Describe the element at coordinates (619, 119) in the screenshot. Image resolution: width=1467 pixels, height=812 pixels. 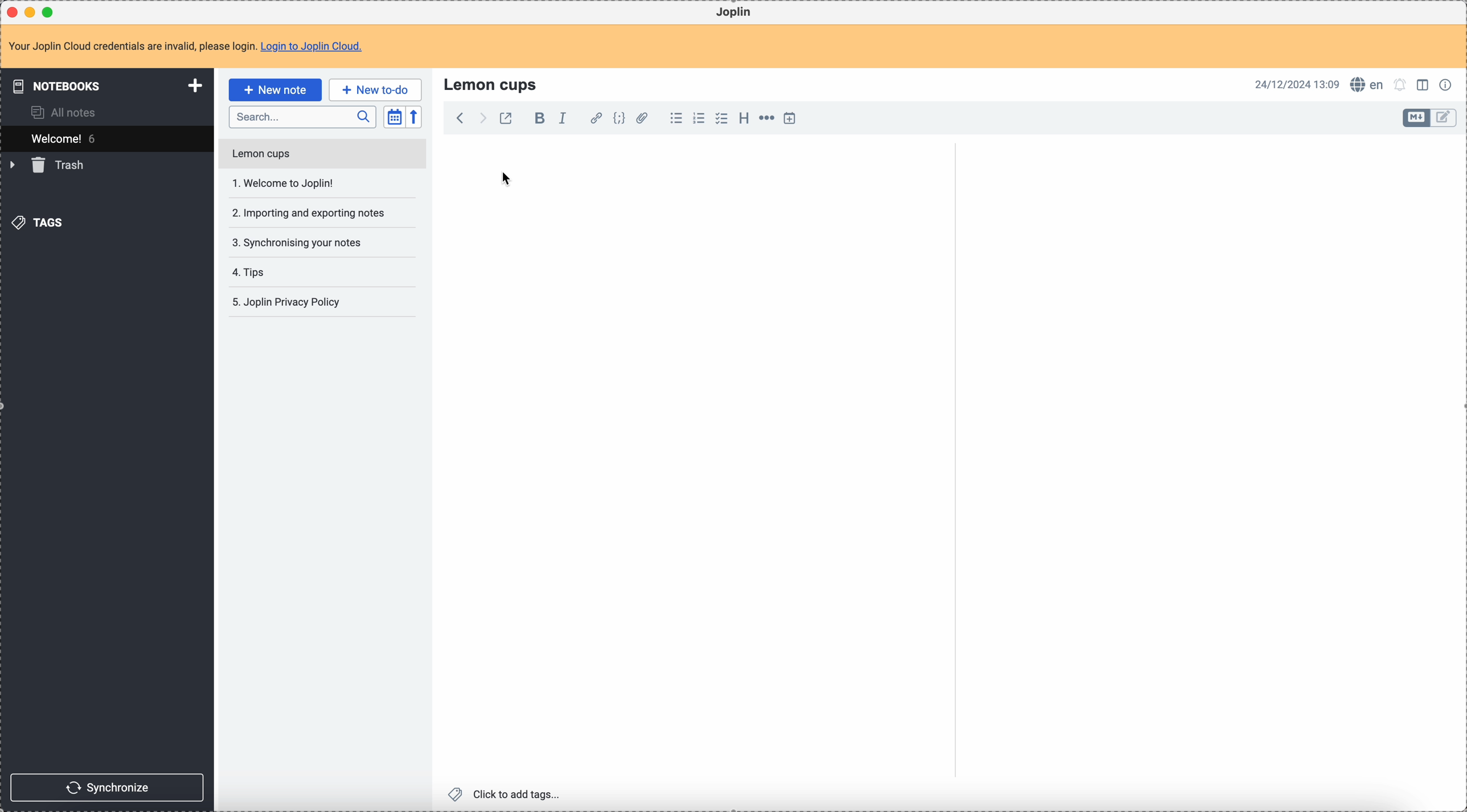
I see `code` at that location.